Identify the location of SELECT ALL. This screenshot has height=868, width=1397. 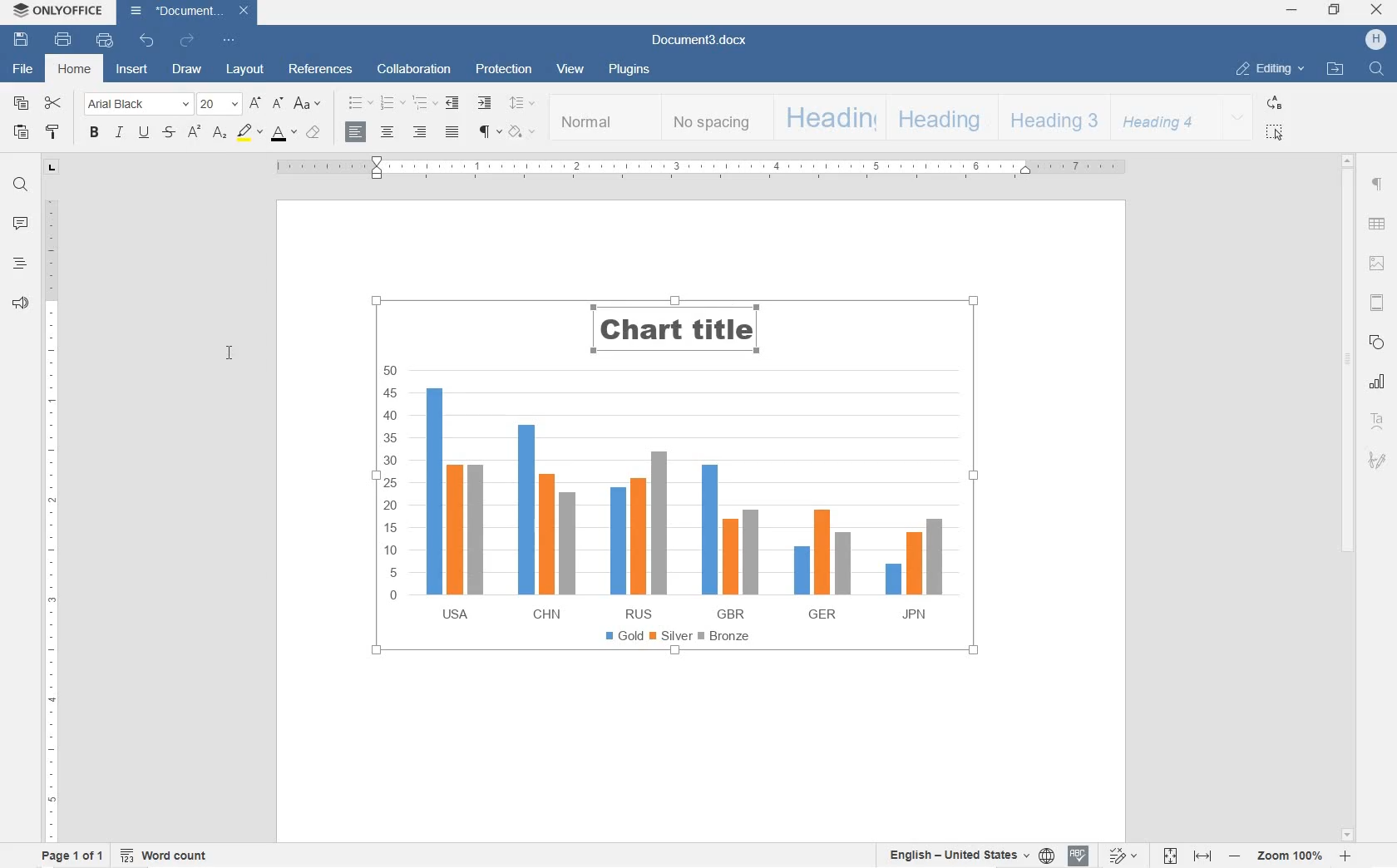
(1274, 133).